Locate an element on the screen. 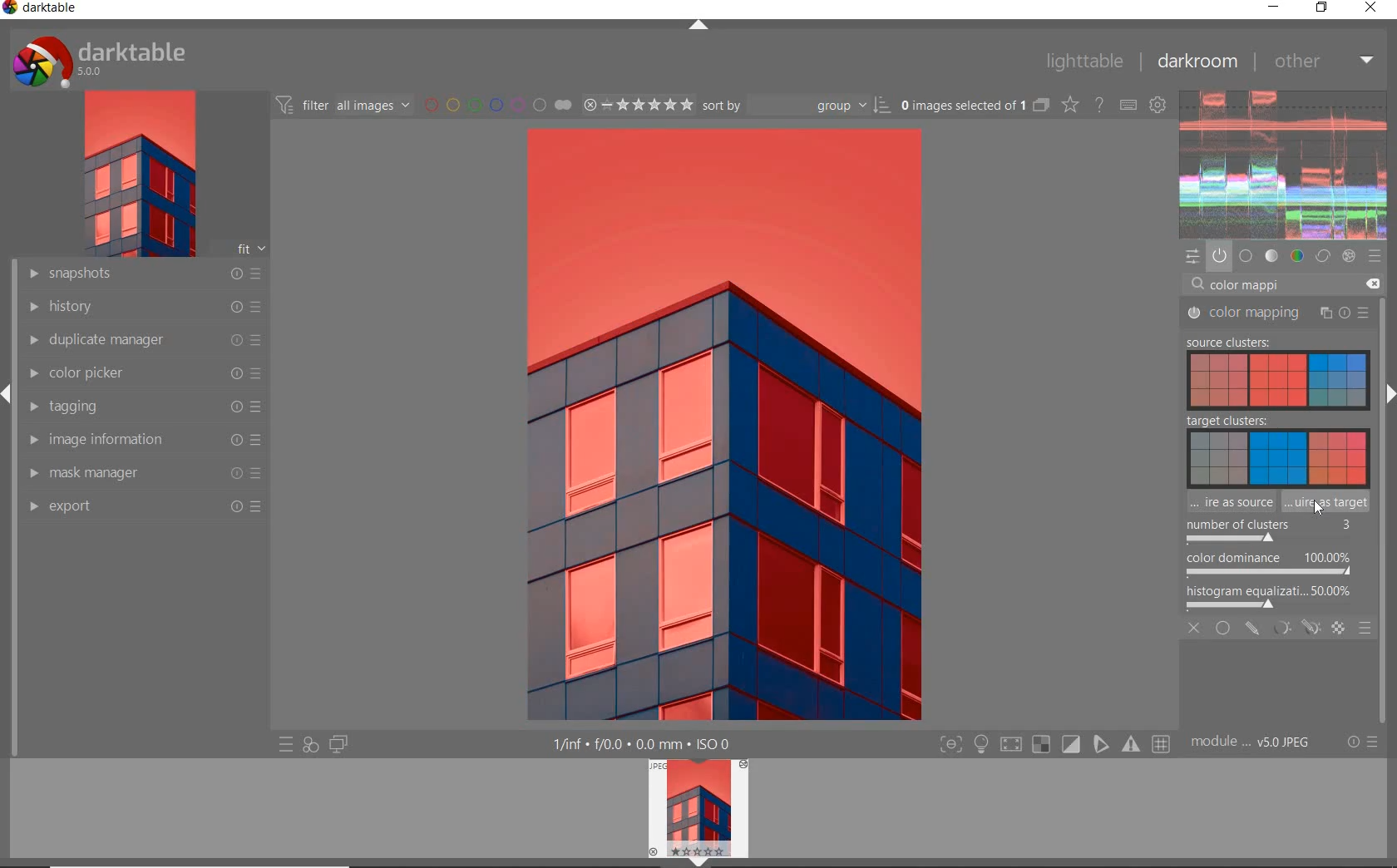 The width and height of the screenshot is (1397, 868). tagging is located at coordinates (143, 407).